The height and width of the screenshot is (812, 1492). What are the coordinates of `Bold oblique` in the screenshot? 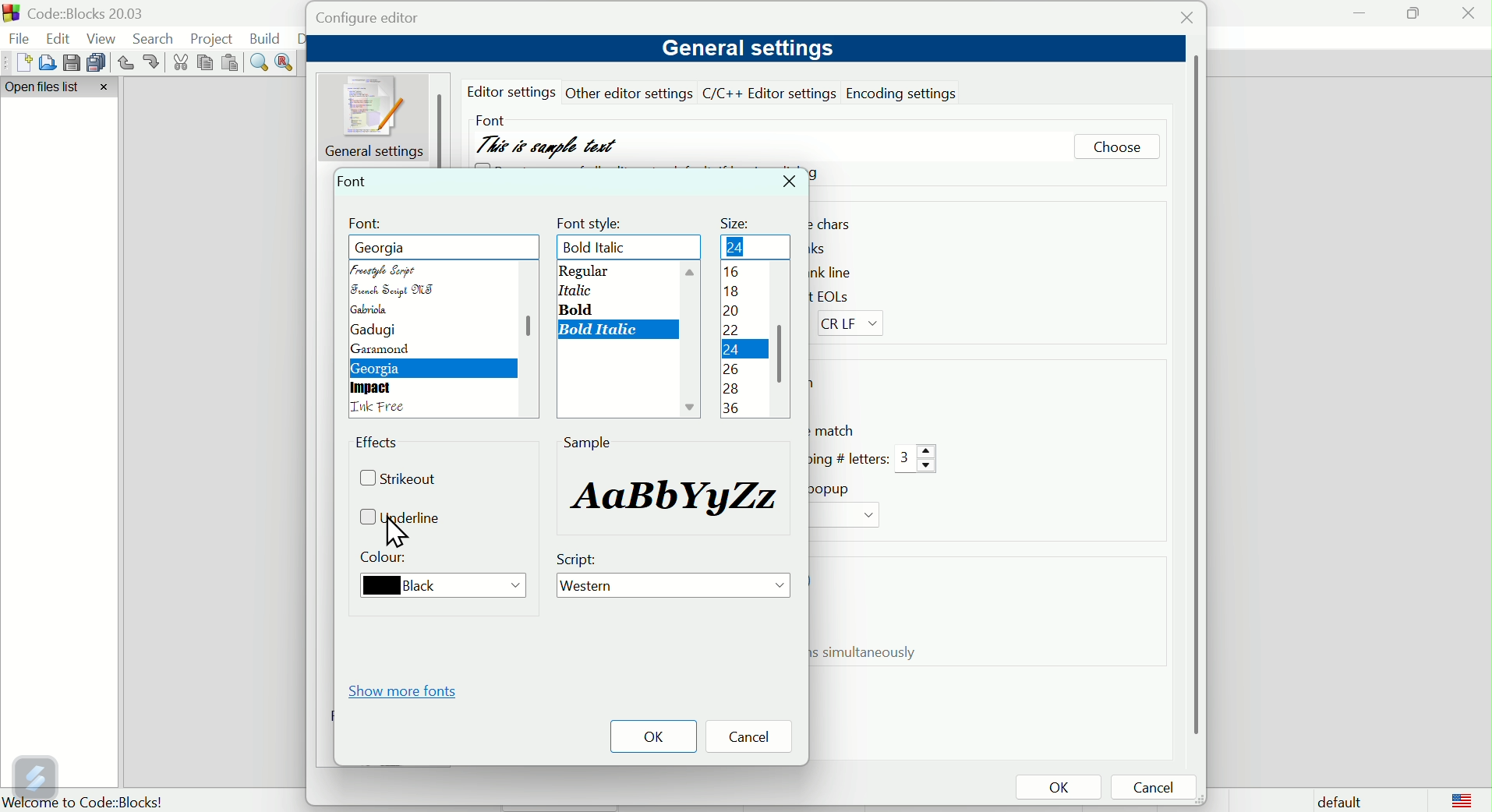 It's located at (602, 330).